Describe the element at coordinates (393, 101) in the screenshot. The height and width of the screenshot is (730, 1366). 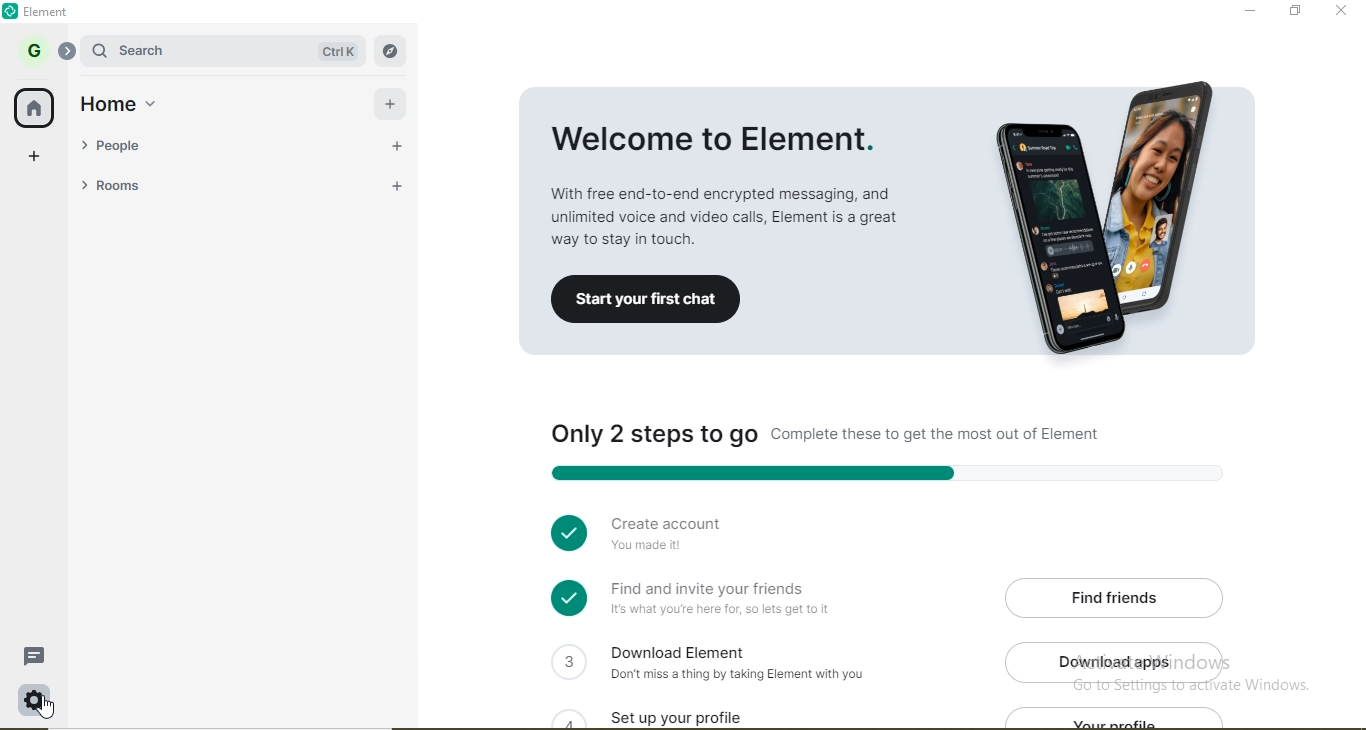
I see `add room/people` at that location.